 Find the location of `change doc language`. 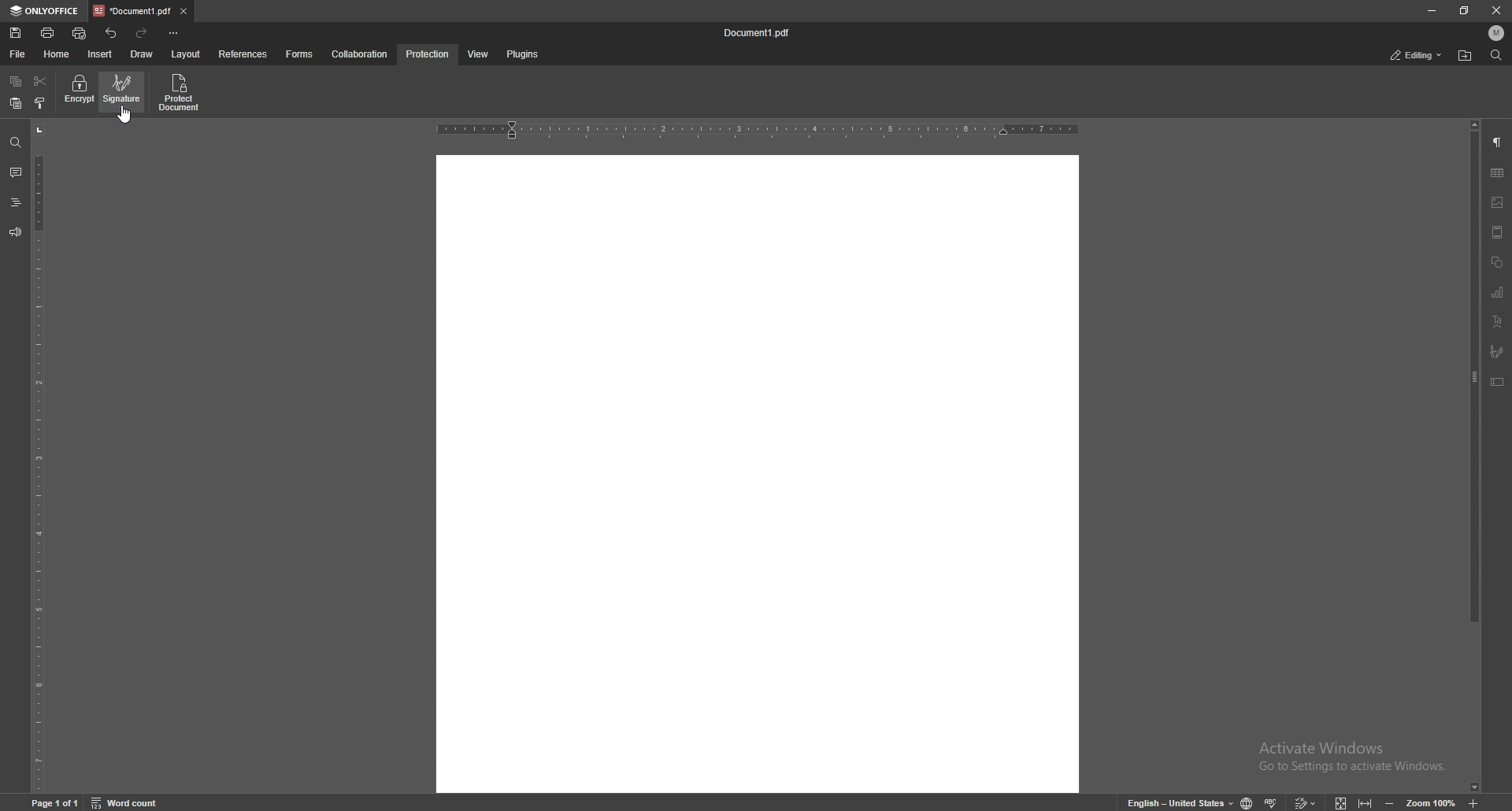

change doc language is located at coordinates (1241, 802).